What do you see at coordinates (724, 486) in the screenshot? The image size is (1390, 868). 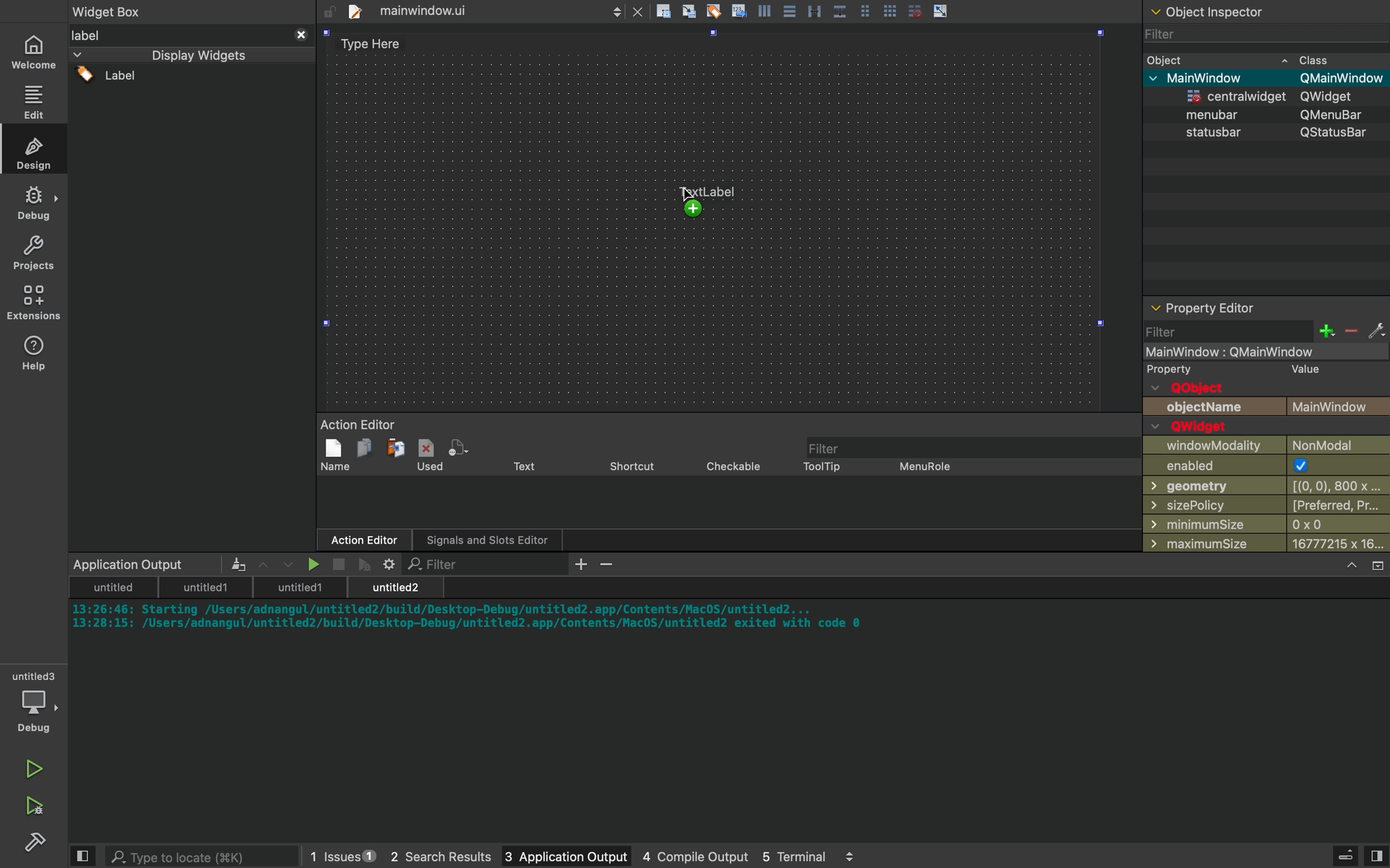 I see `action editor ` at bounding box center [724, 486].